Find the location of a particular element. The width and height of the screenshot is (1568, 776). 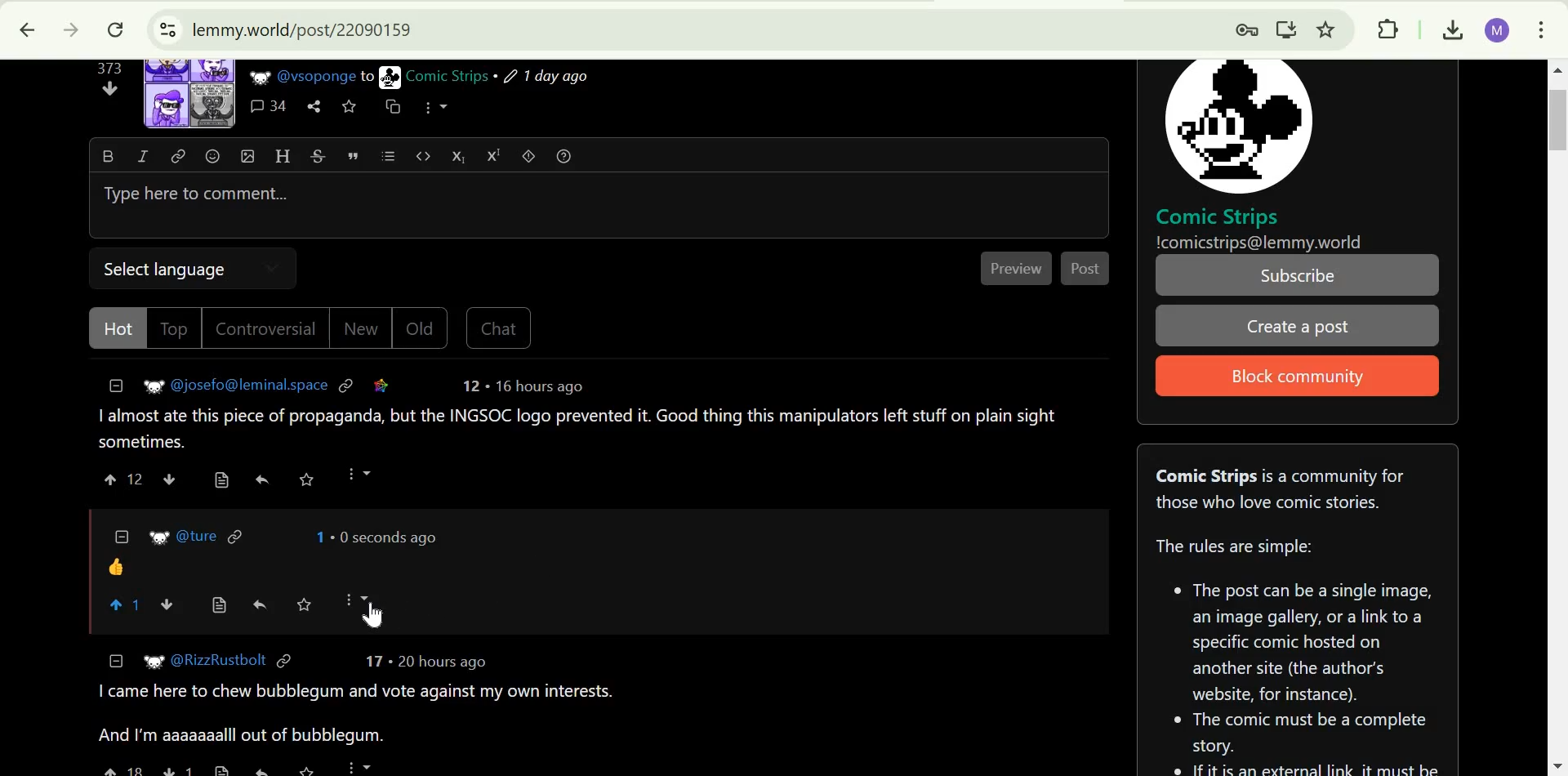

picture is located at coordinates (159, 537).